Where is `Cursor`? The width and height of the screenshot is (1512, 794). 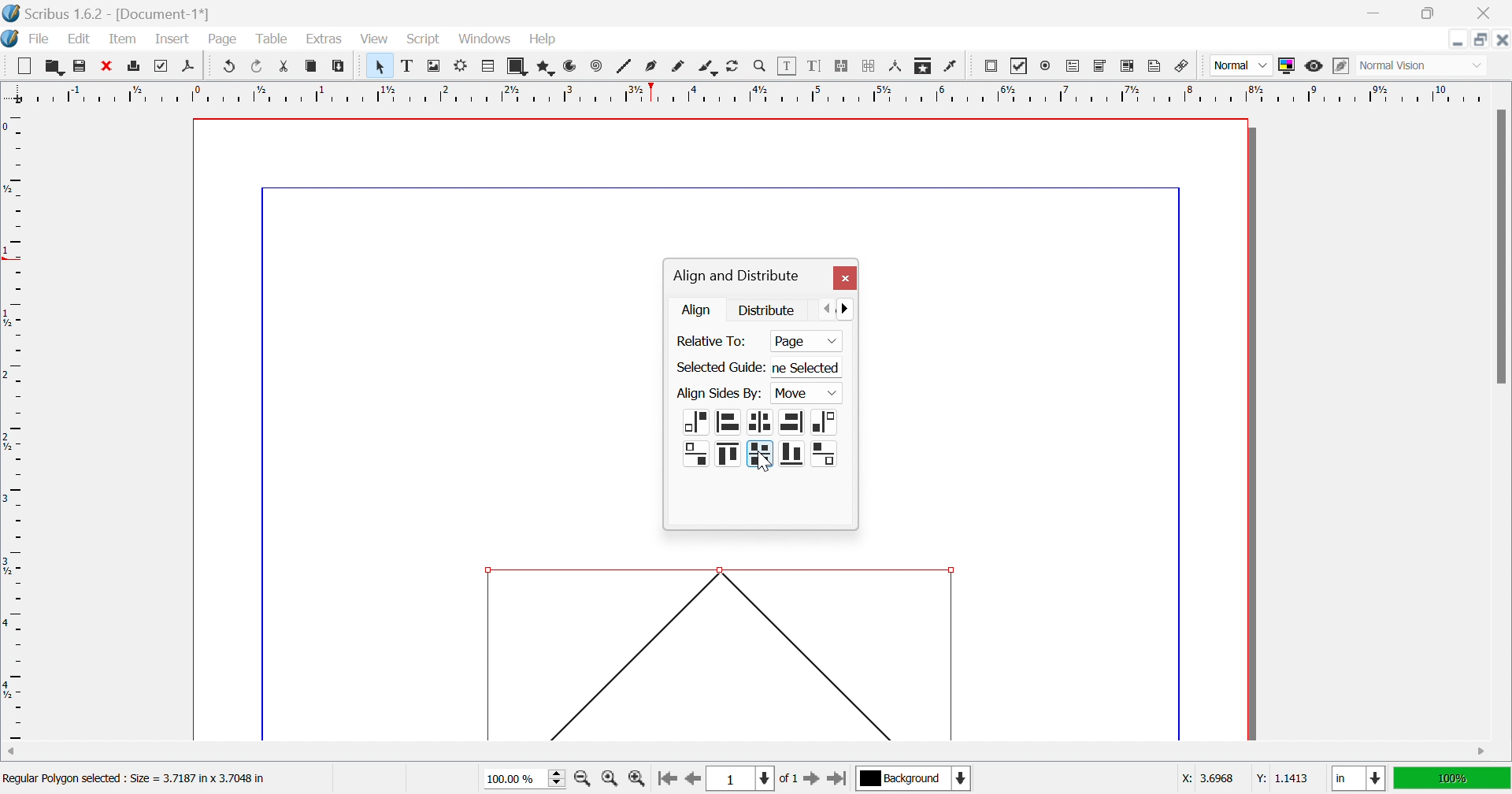
Cursor is located at coordinates (498, 46).